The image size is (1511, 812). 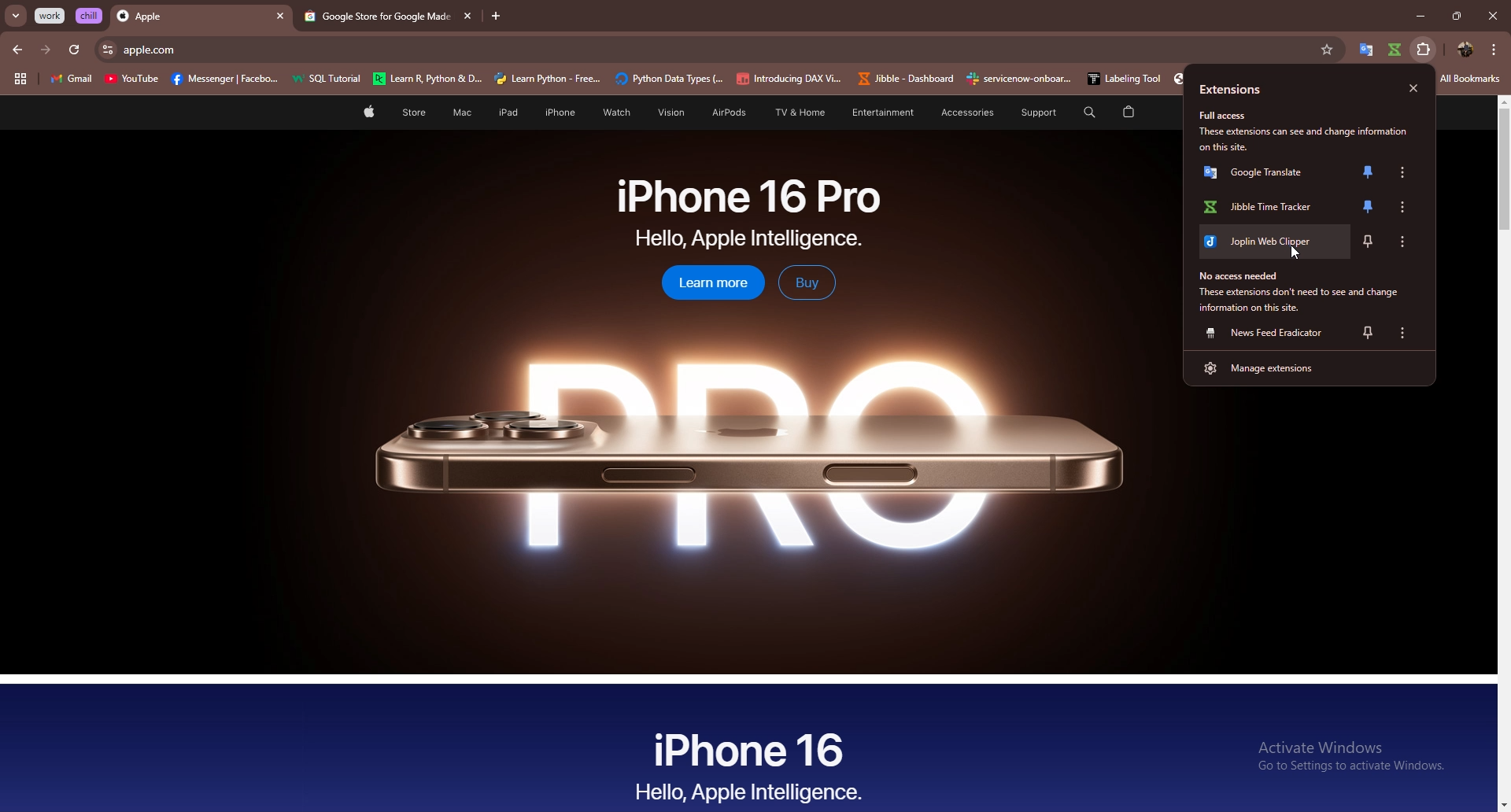 What do you see at coordinates (1308, 139) in the screenshot?
I see `These extensions can see and change information
an this sila.` at bounding box center [1308, 139].